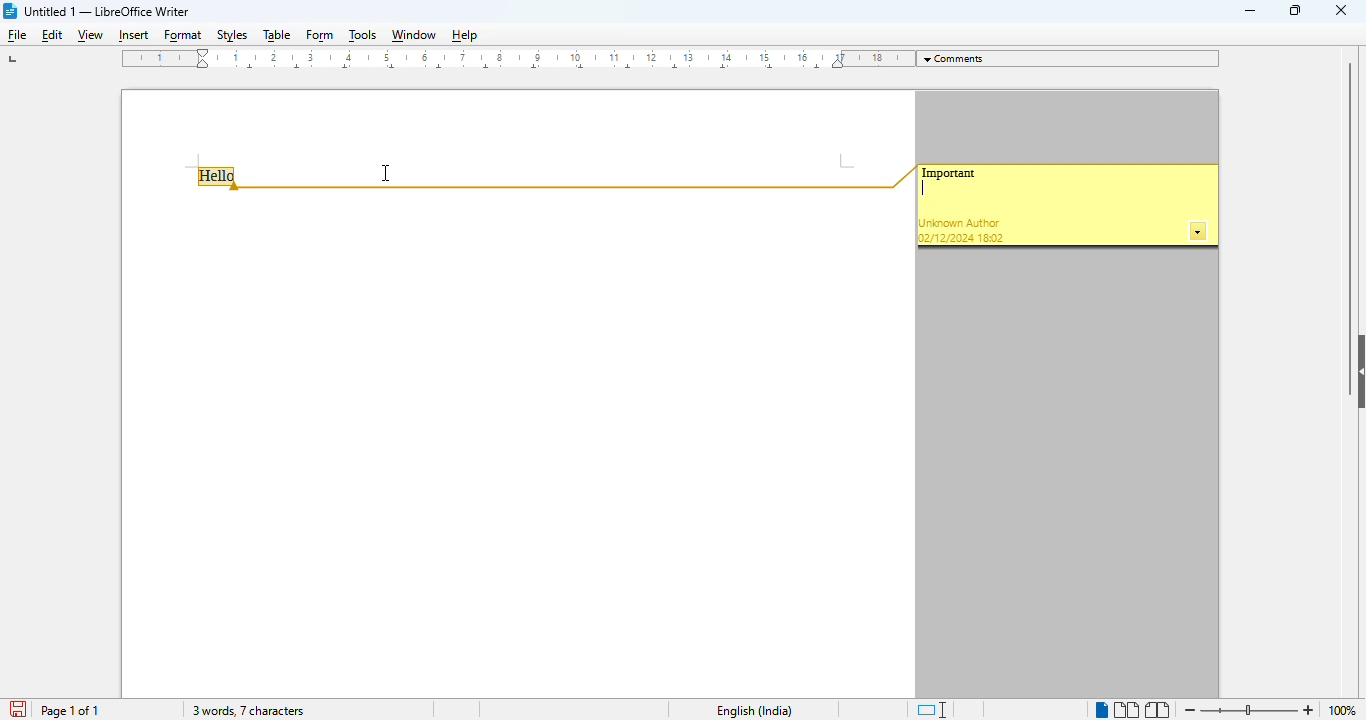 This screenshot has height=720, width=1366. I want to click on styles, so click(233, 35).